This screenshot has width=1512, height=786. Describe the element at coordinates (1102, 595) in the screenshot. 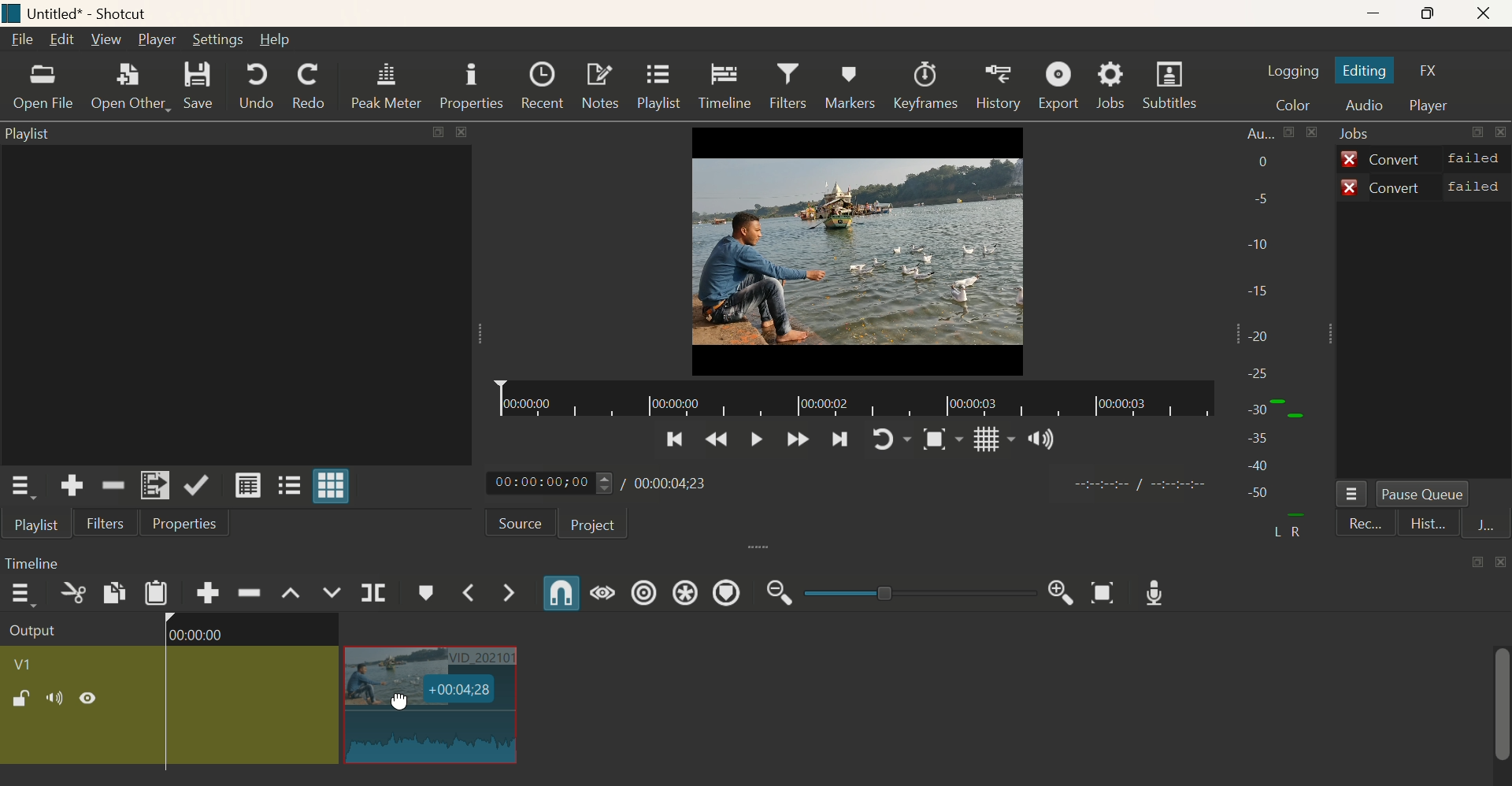

I see `` at that location.